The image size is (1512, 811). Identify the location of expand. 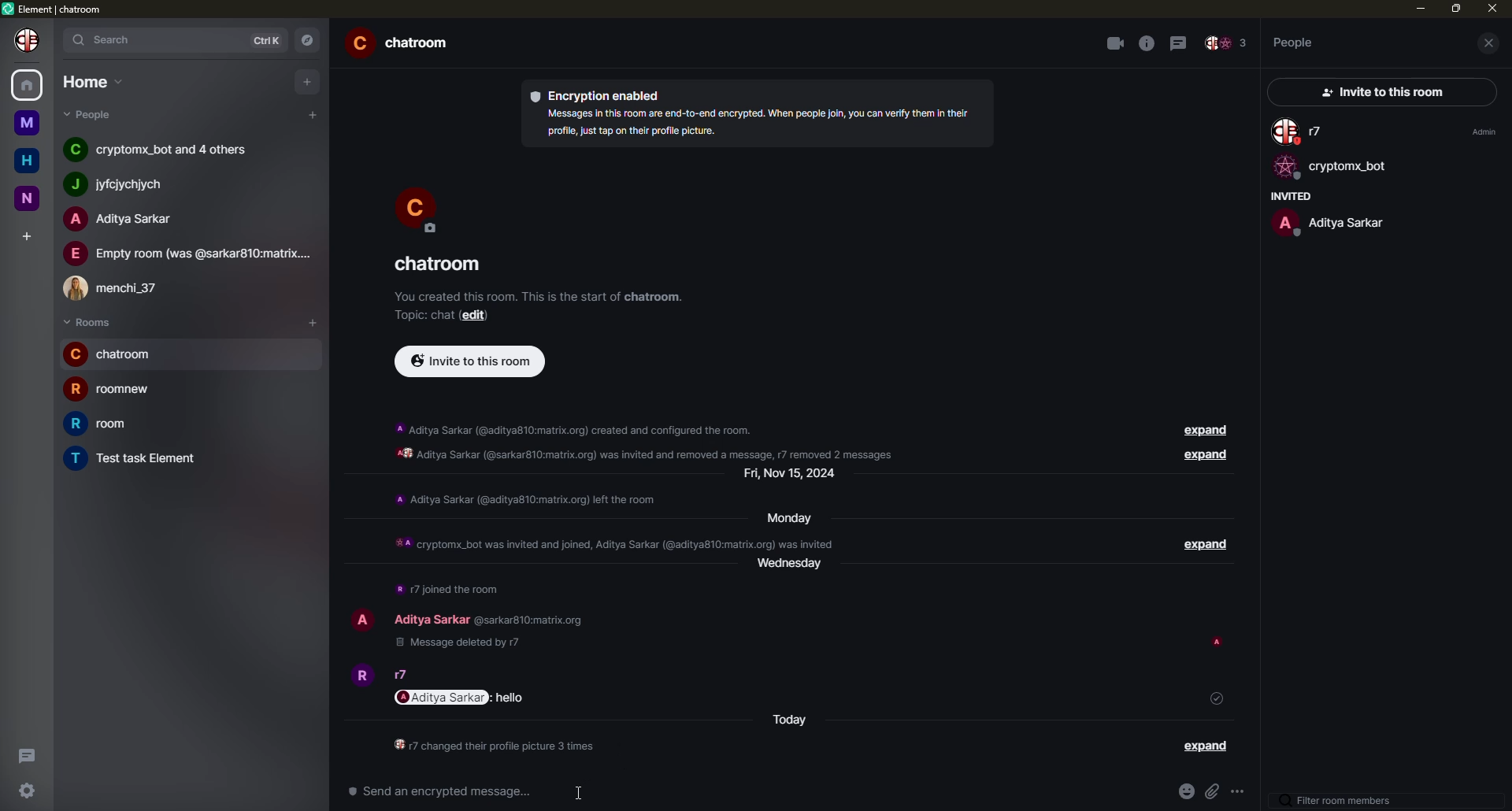
(1198, 431).